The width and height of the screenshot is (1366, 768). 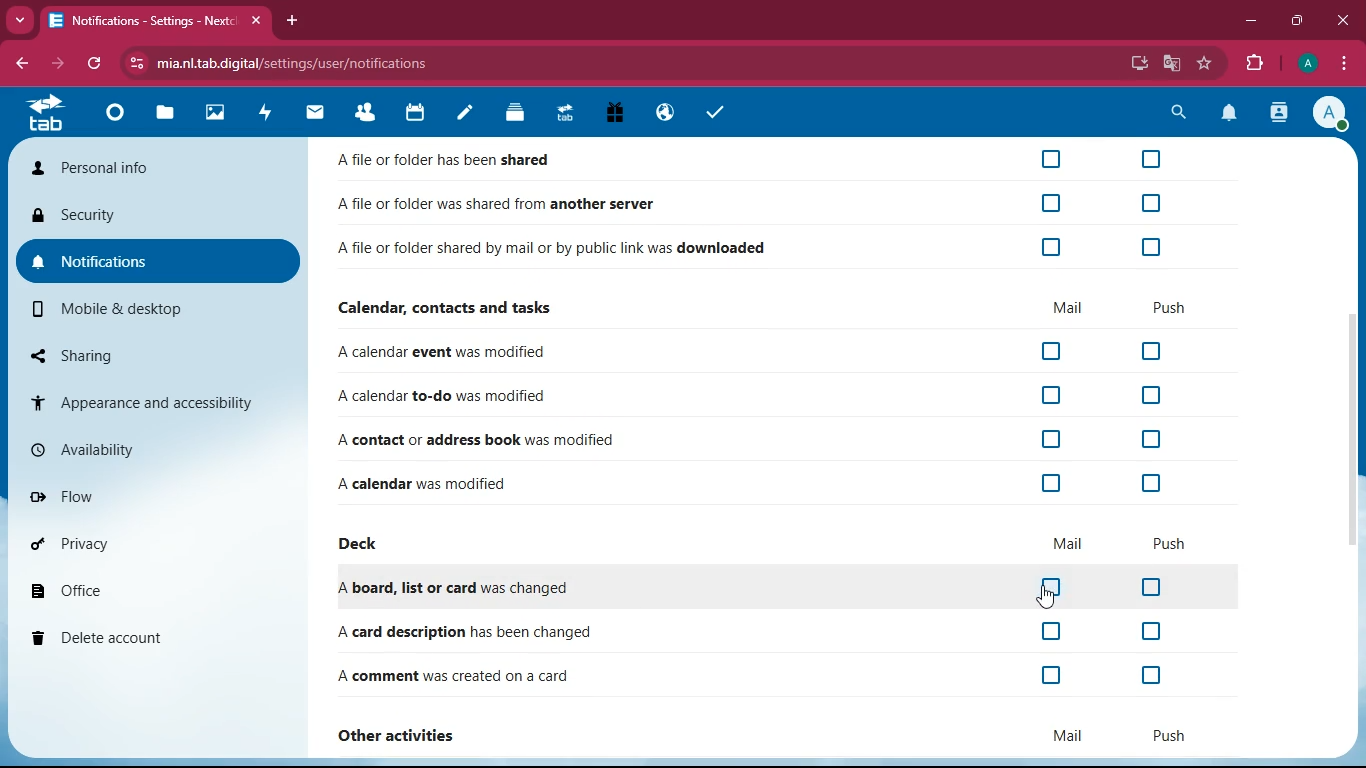 What do you see at coordinates (466, 113) in the screenshot?
I see `notes` at bounding box center [466, 113].